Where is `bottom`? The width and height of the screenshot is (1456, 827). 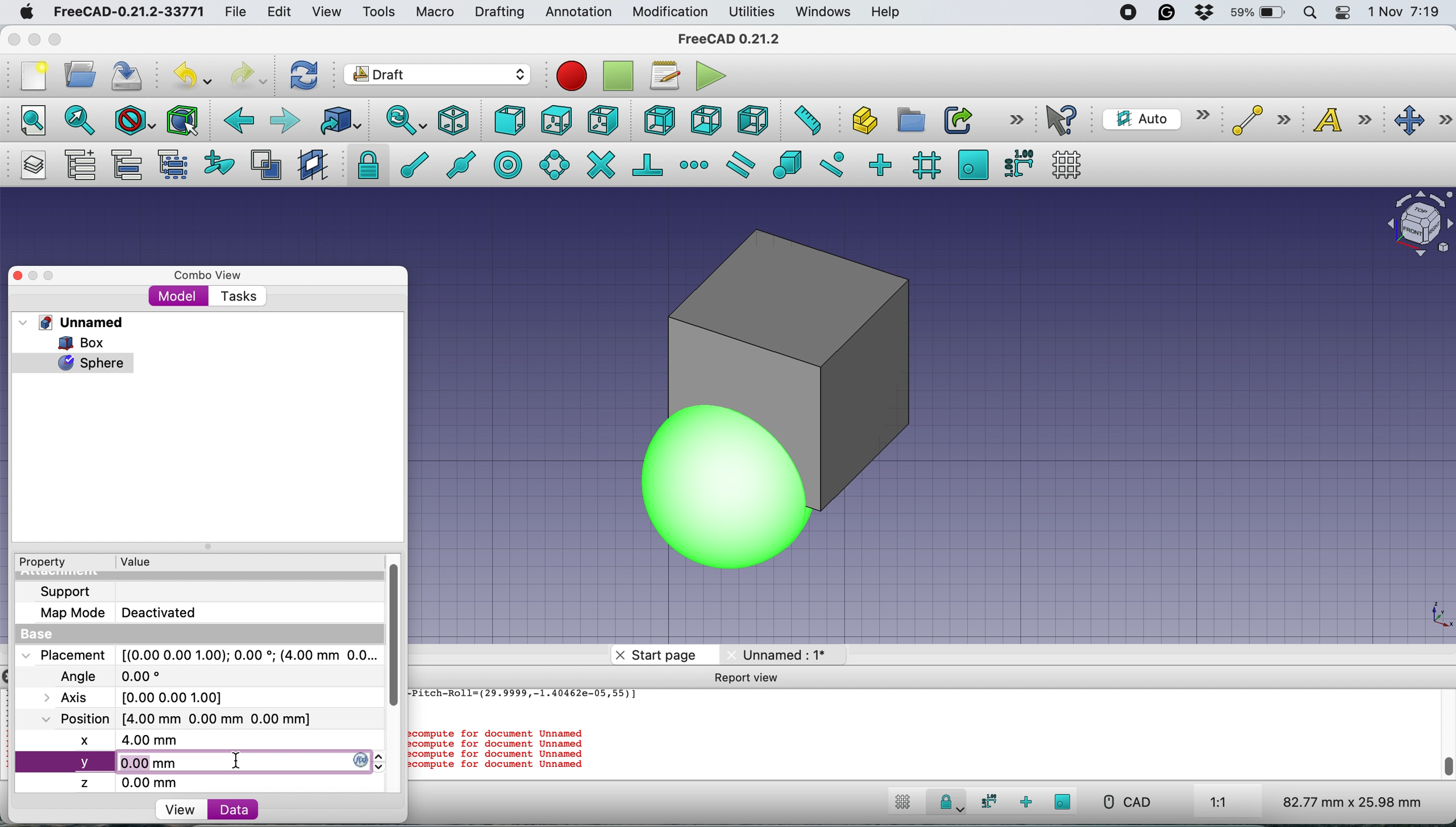
bottom is located at coordinates (706, 121).